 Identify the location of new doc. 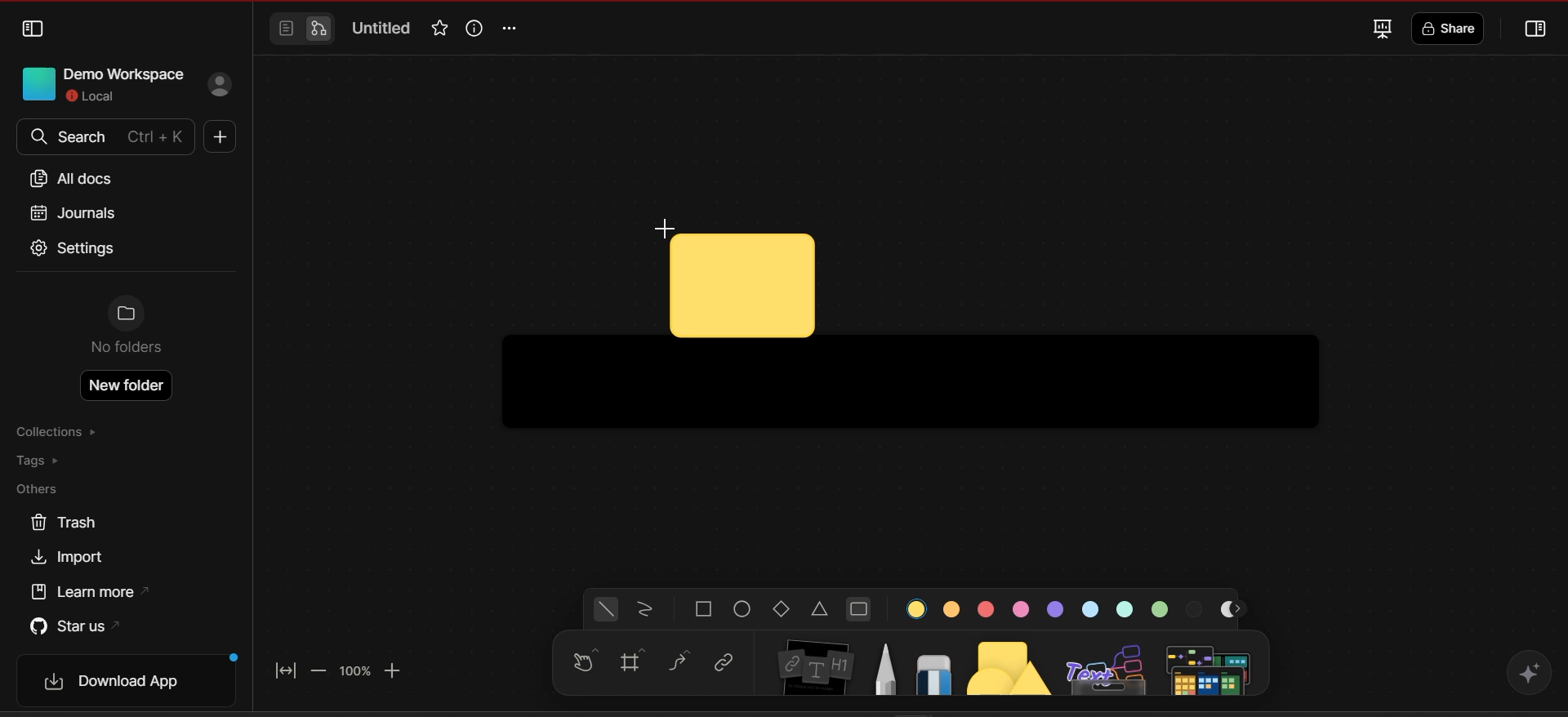
(217, 139).